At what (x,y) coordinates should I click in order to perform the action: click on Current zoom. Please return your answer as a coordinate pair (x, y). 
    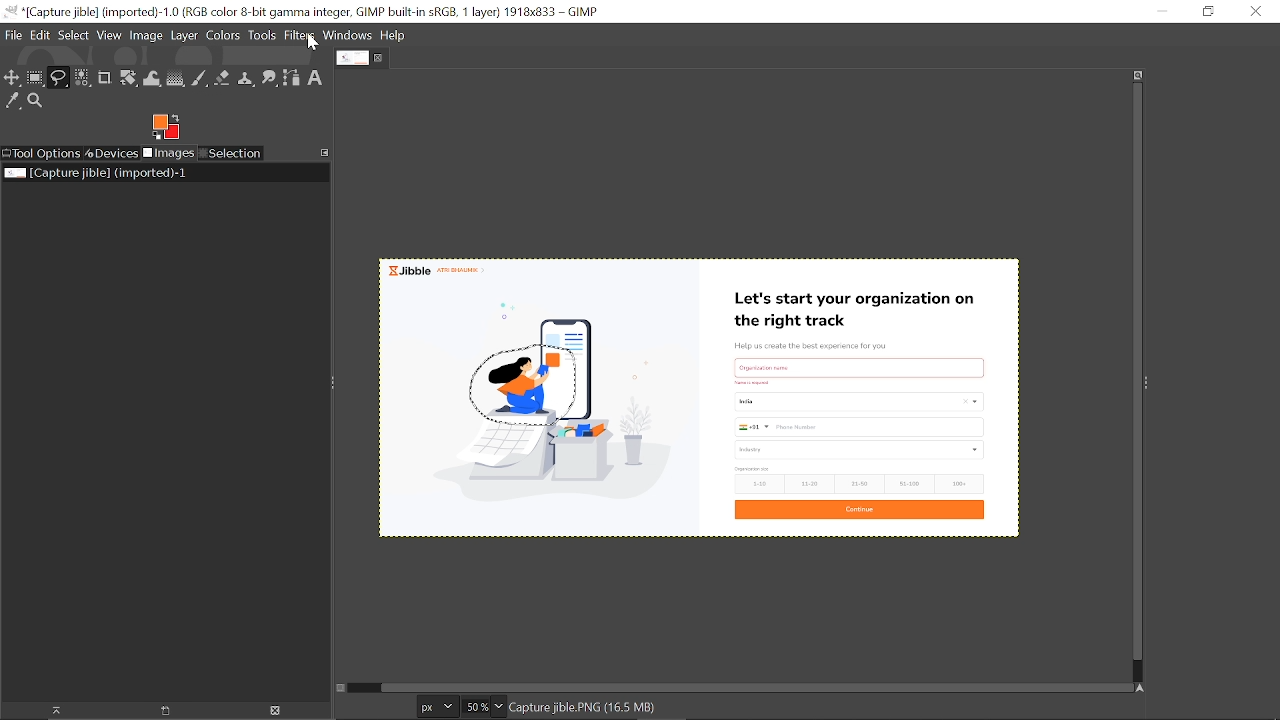
    Looking at the image, I should click on (474, 706).